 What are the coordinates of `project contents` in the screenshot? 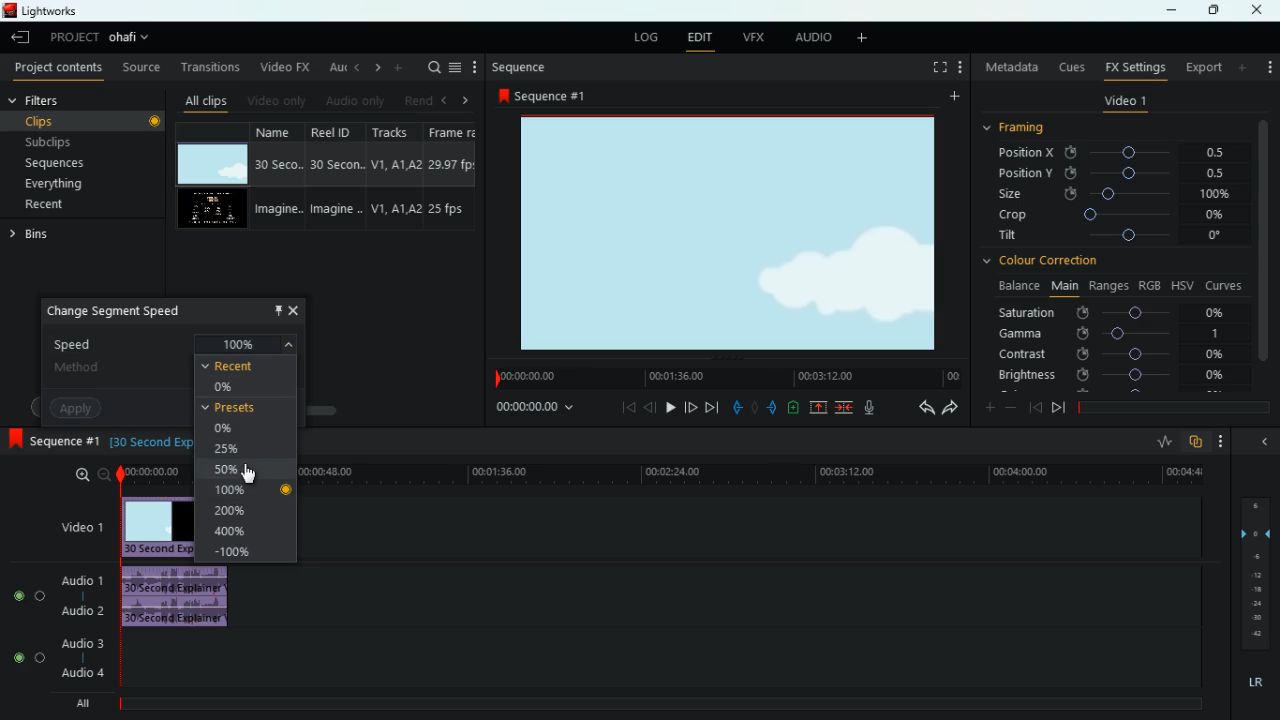 It's located at (56, 69).